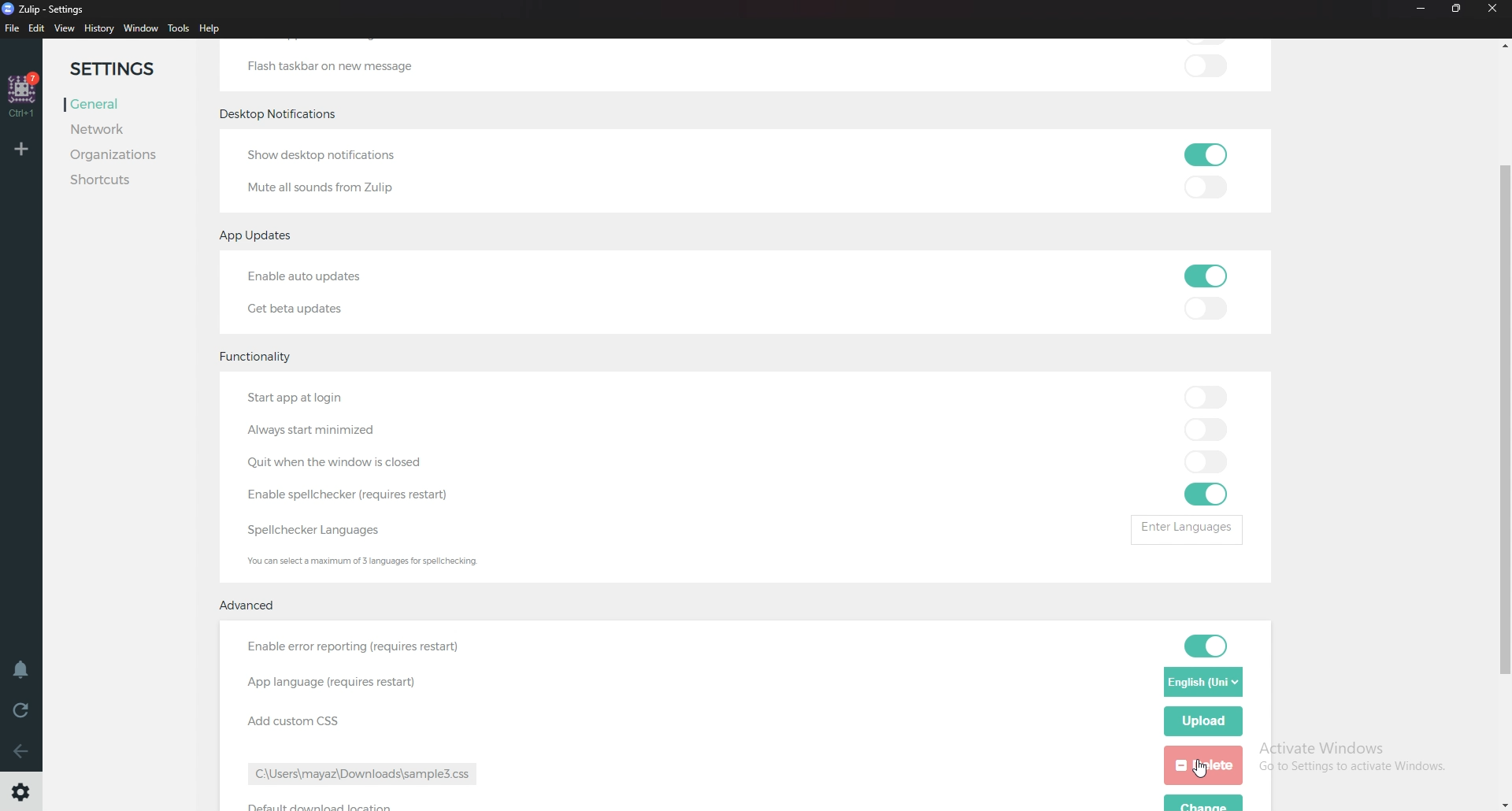  I want to click on Enable Spell Checker, so click(354, 493).